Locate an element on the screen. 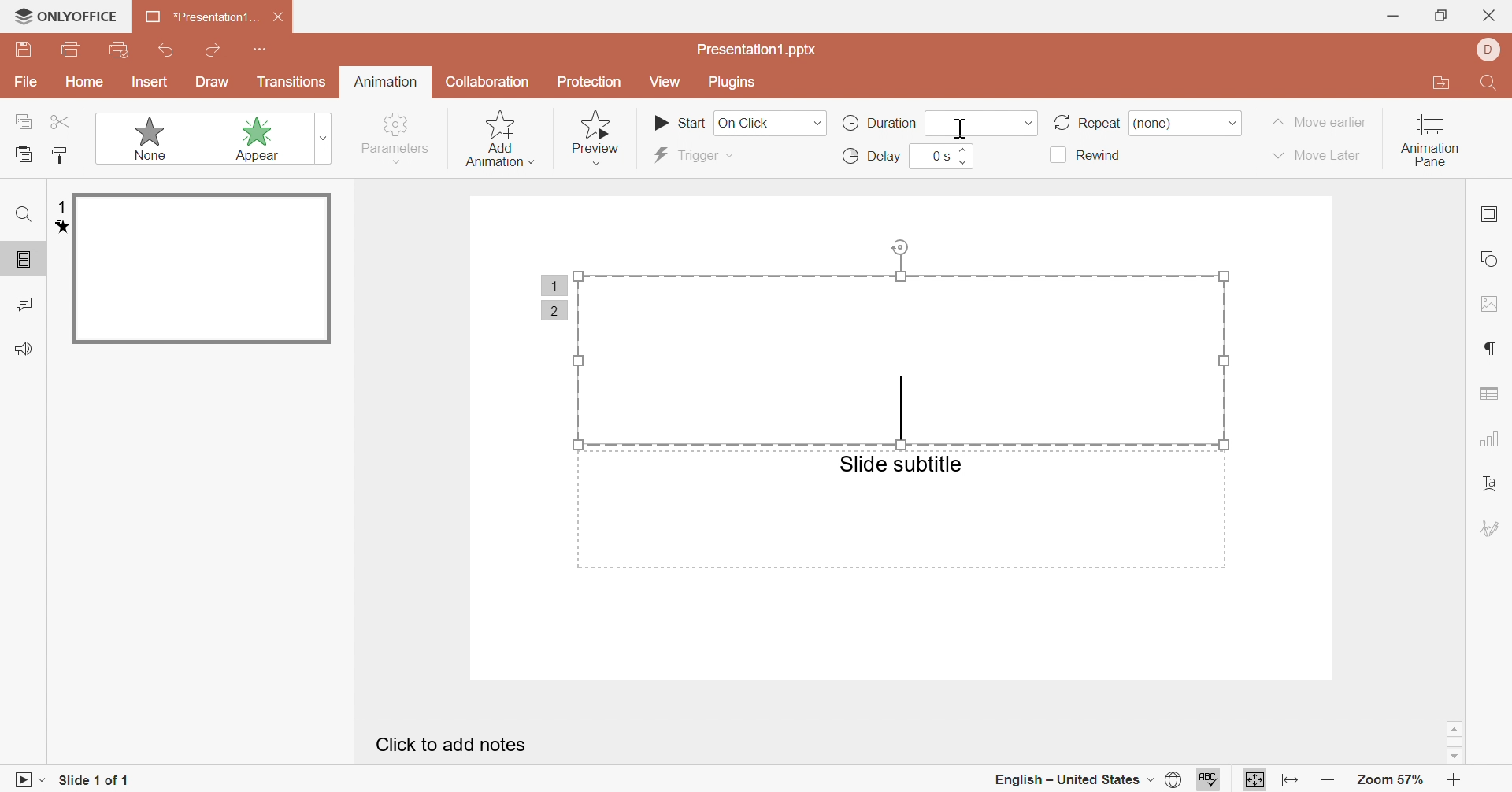 The image size is (1512, 792). start is located at coordinates (680, 121).